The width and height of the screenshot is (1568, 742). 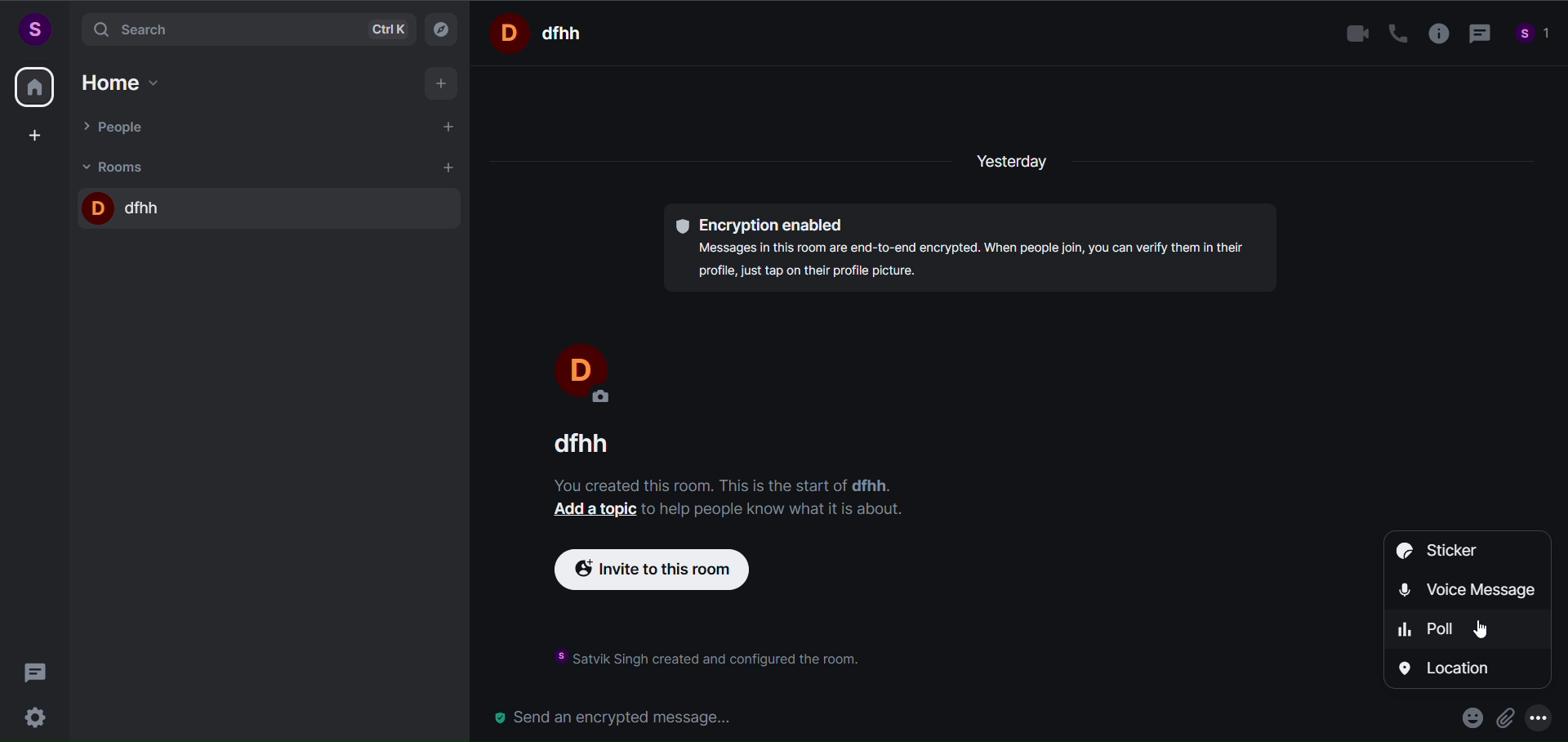 What do you see at coordinates (1353, 34) in the screenshot?
I see `video call` at bounding box center [1353, 34].